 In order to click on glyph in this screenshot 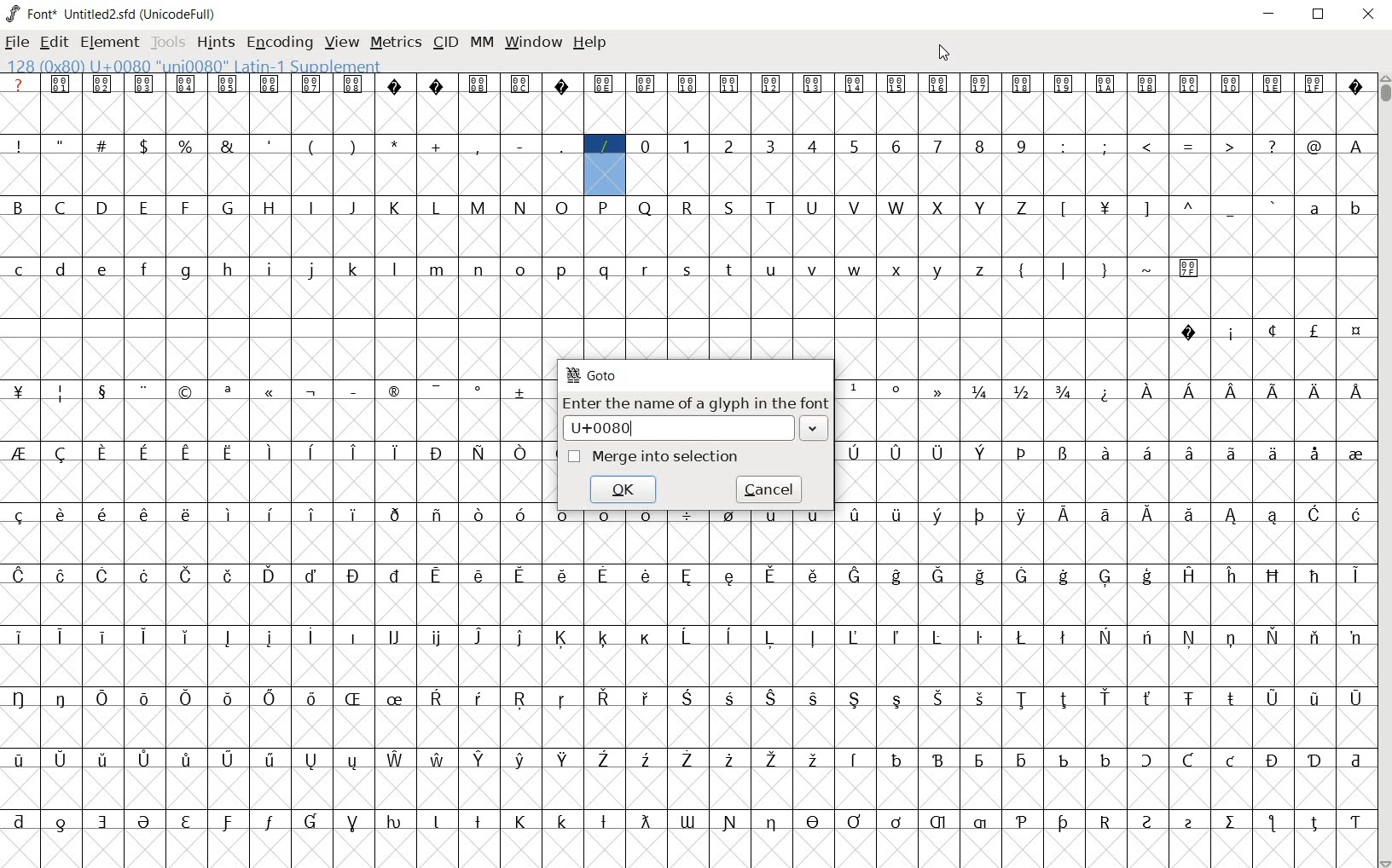, I will do `click(1314, 147)`.